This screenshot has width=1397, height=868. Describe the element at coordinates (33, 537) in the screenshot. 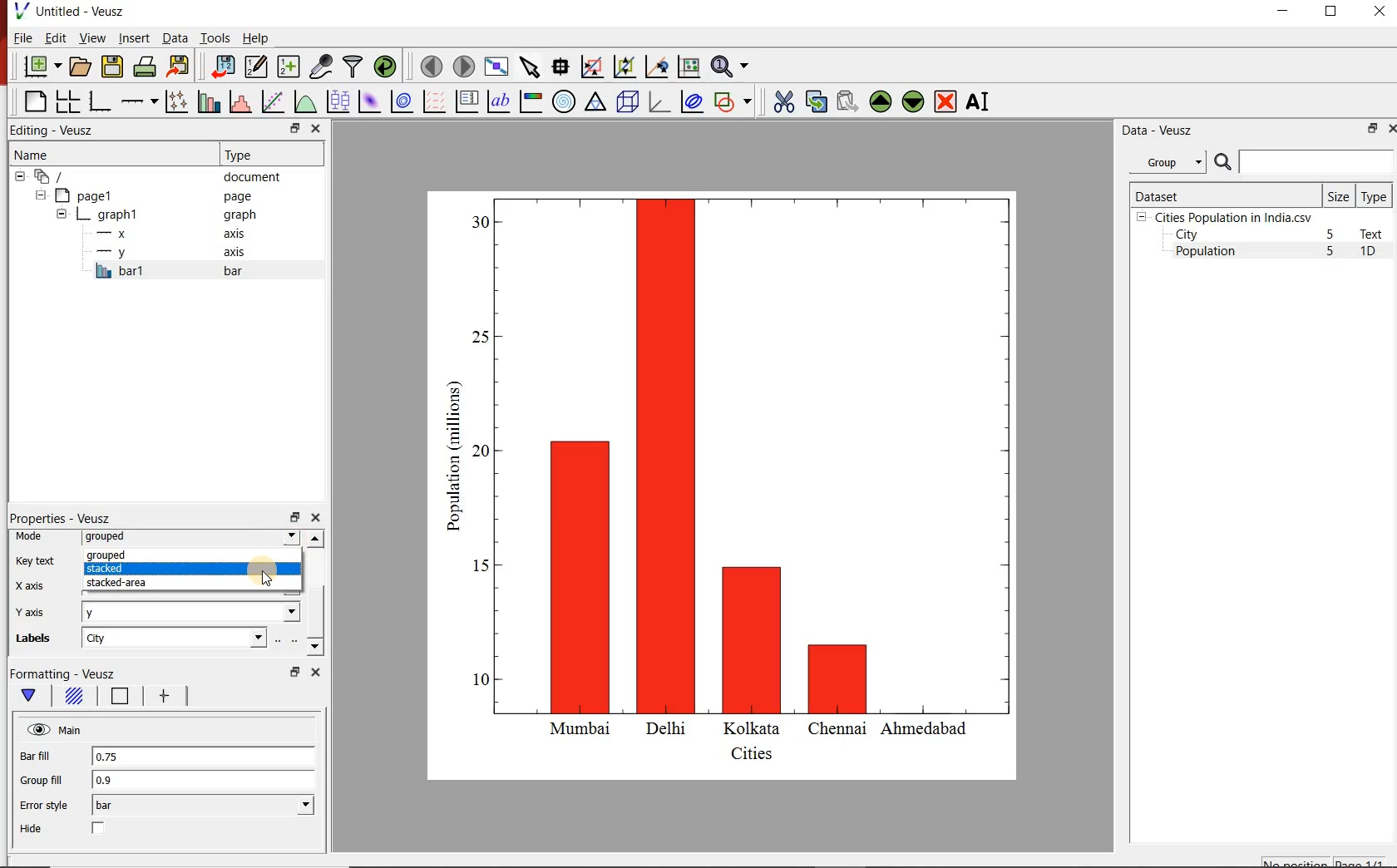

I see `mode` at that location.